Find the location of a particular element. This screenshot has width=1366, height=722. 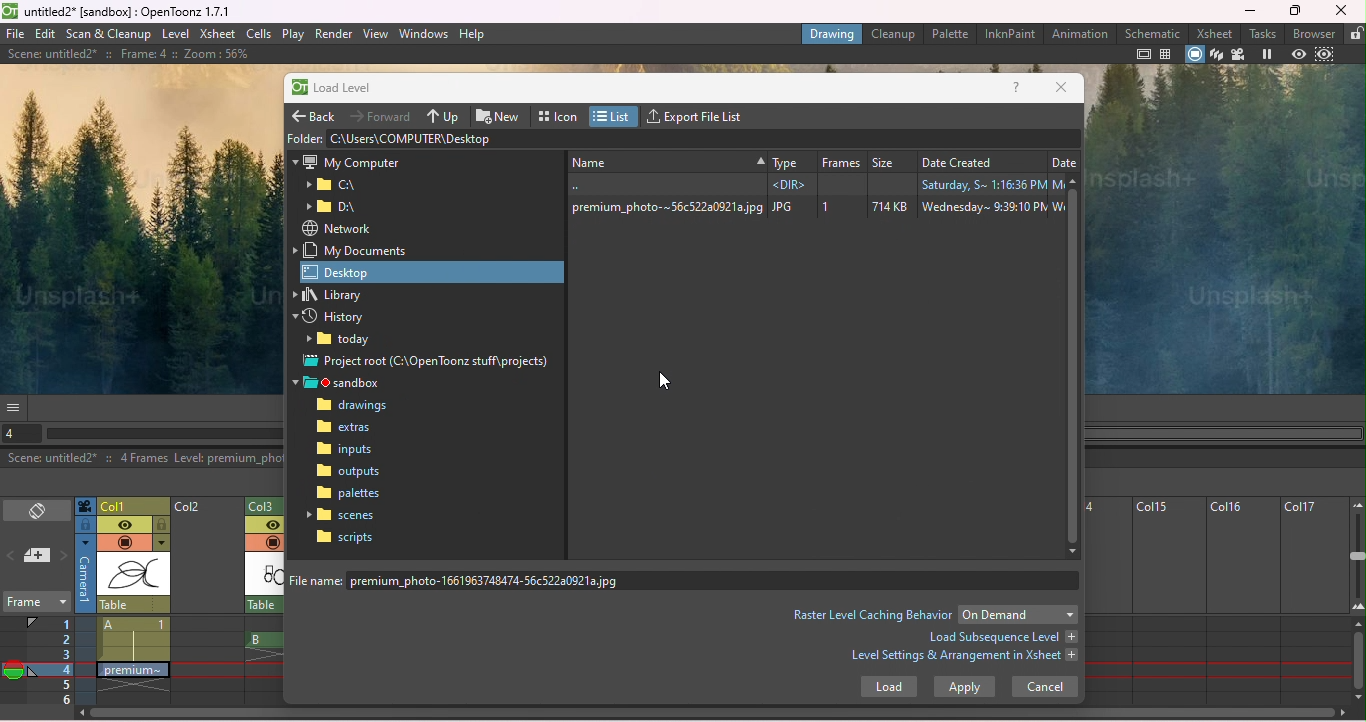

List is located at coordinates (615, 116).